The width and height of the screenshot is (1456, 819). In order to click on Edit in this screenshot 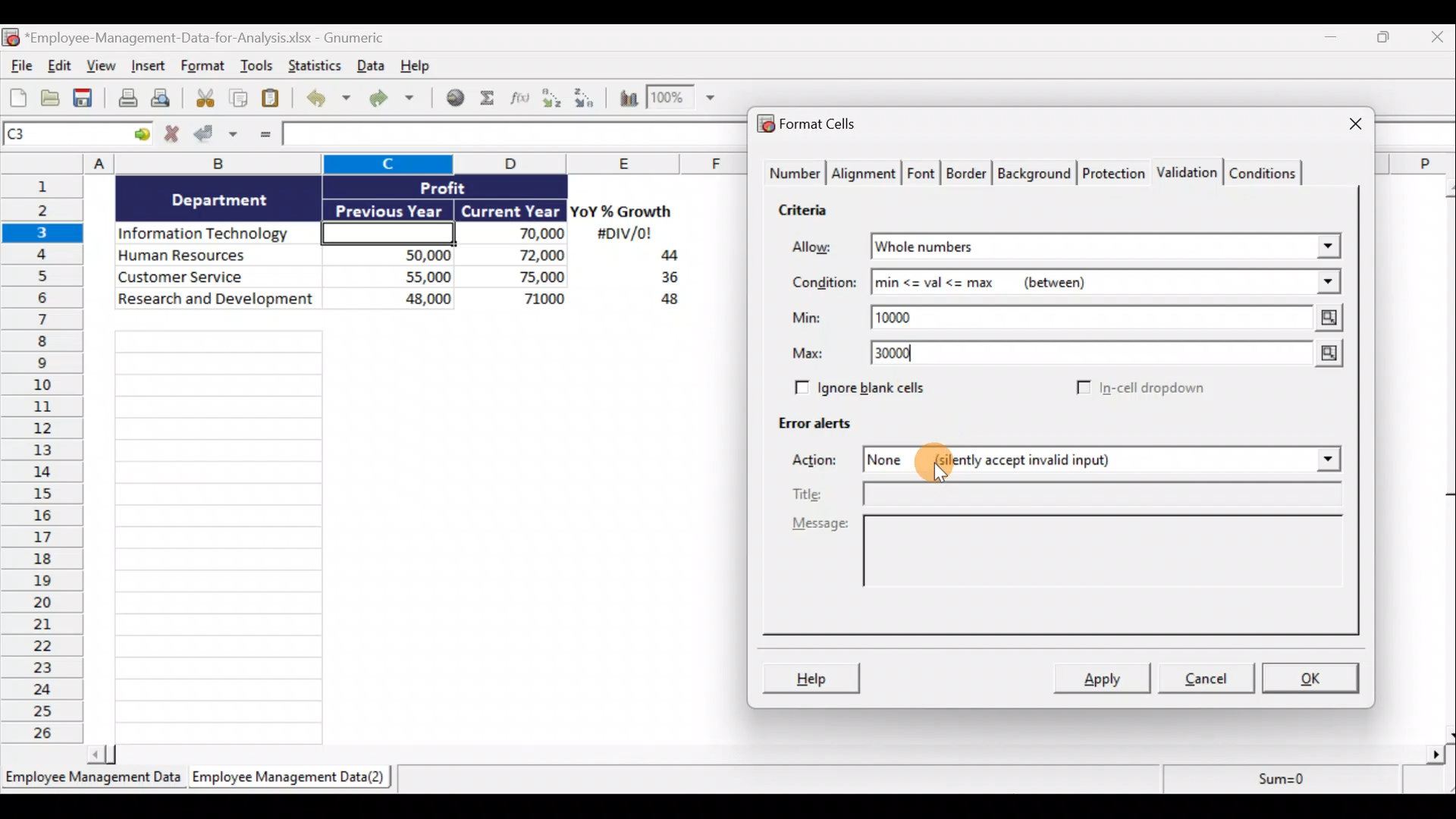, I will do `click(58, 67)`.